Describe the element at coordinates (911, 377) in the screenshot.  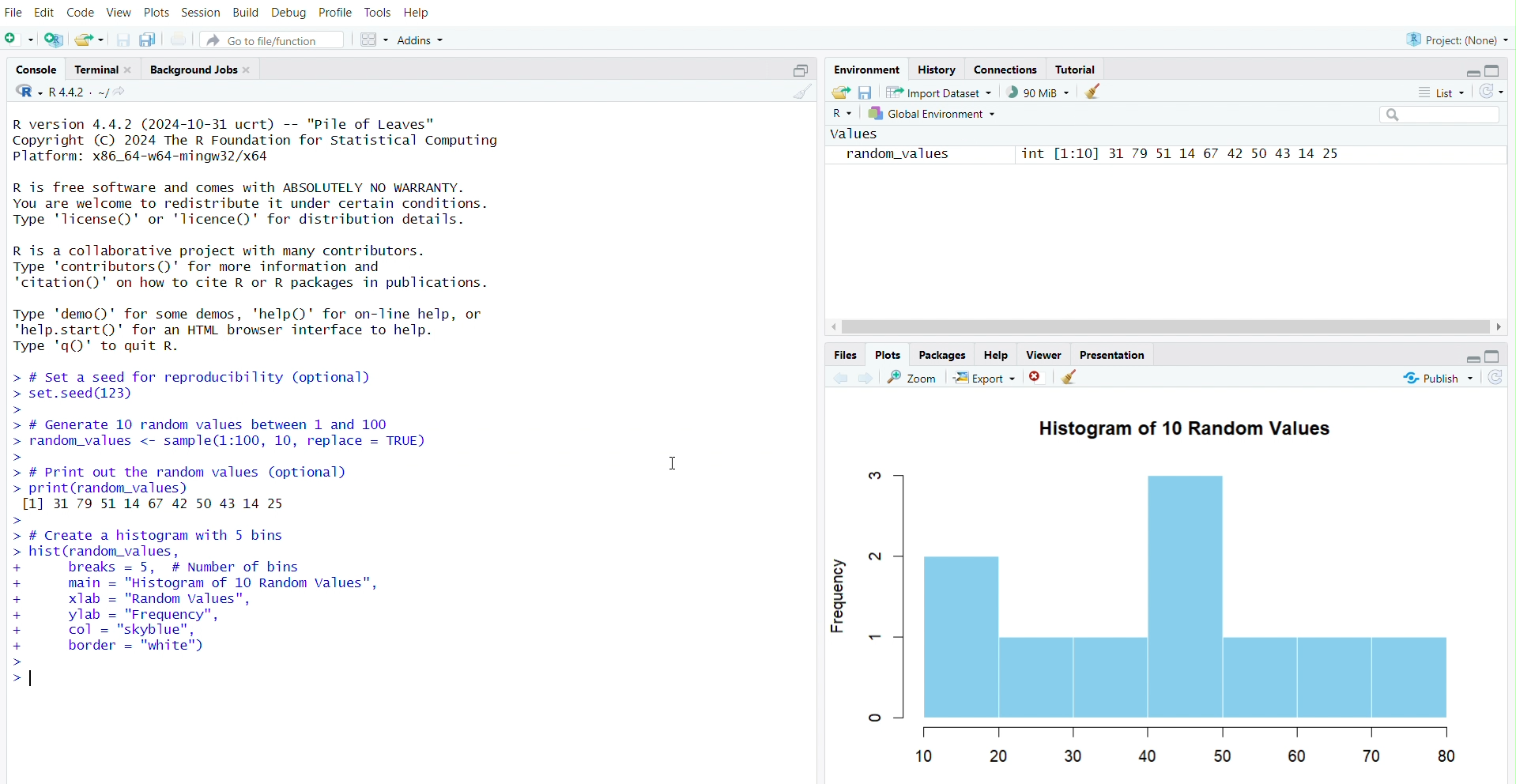
I see `view a larger version of the plot in new window` at that location.